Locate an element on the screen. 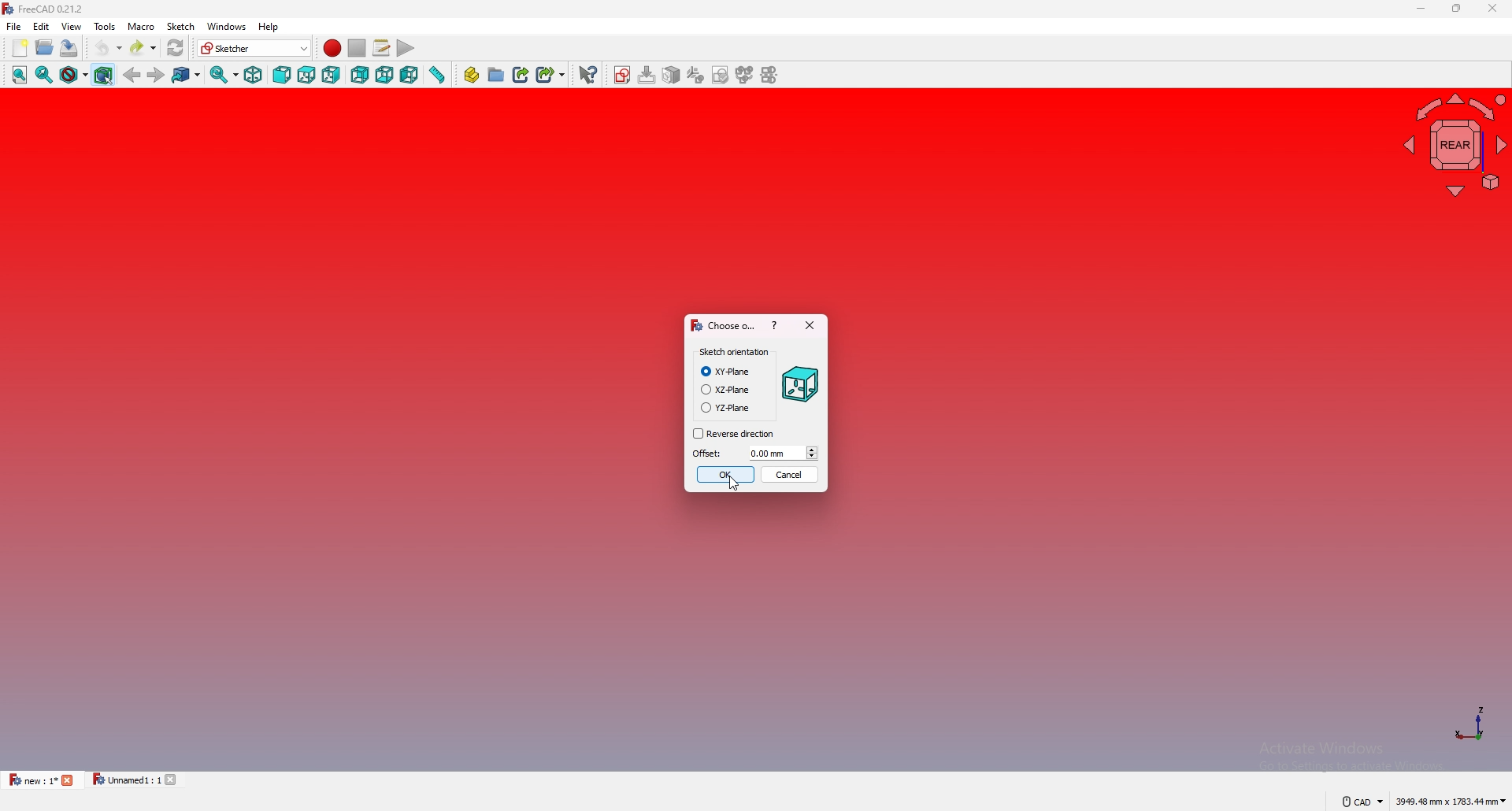  sketches is located at coordinates (744, 75).